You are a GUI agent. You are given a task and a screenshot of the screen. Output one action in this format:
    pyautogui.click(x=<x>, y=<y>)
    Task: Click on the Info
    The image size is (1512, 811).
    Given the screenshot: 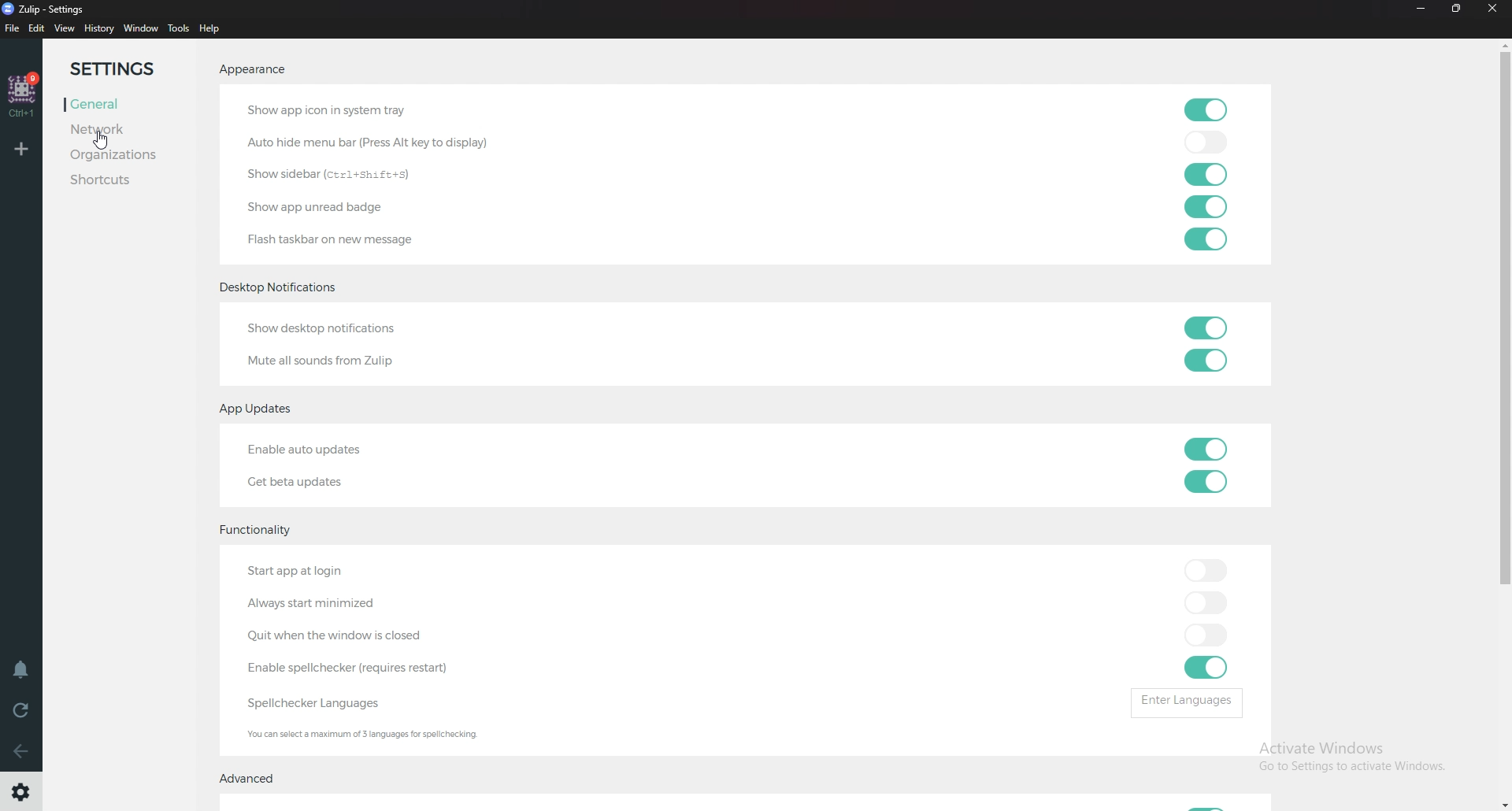 What is the action you would take?
    pyautogui.click(x=373, y=735)
    